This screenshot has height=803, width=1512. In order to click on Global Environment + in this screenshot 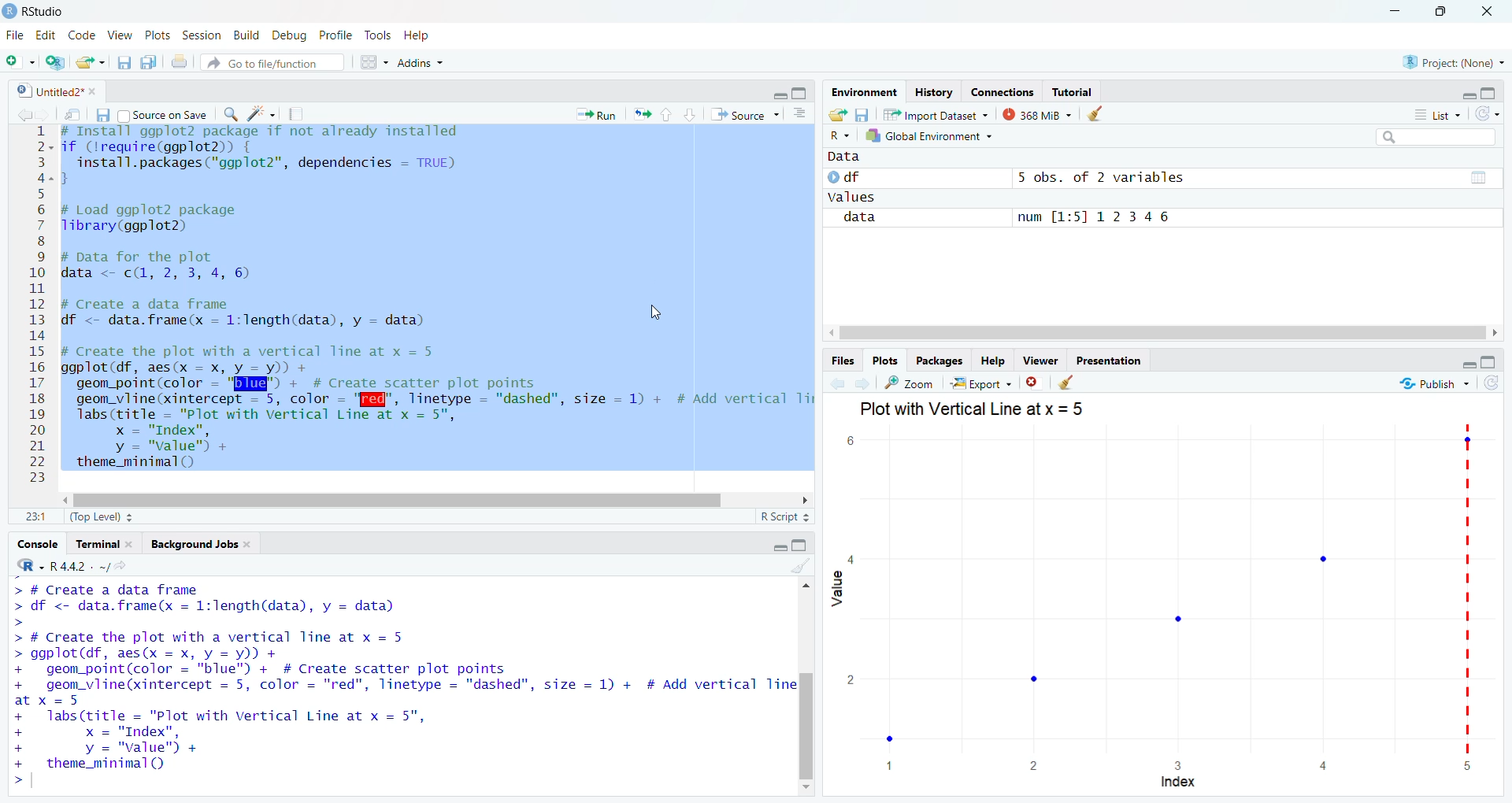, I will do `click(929, 136)`.